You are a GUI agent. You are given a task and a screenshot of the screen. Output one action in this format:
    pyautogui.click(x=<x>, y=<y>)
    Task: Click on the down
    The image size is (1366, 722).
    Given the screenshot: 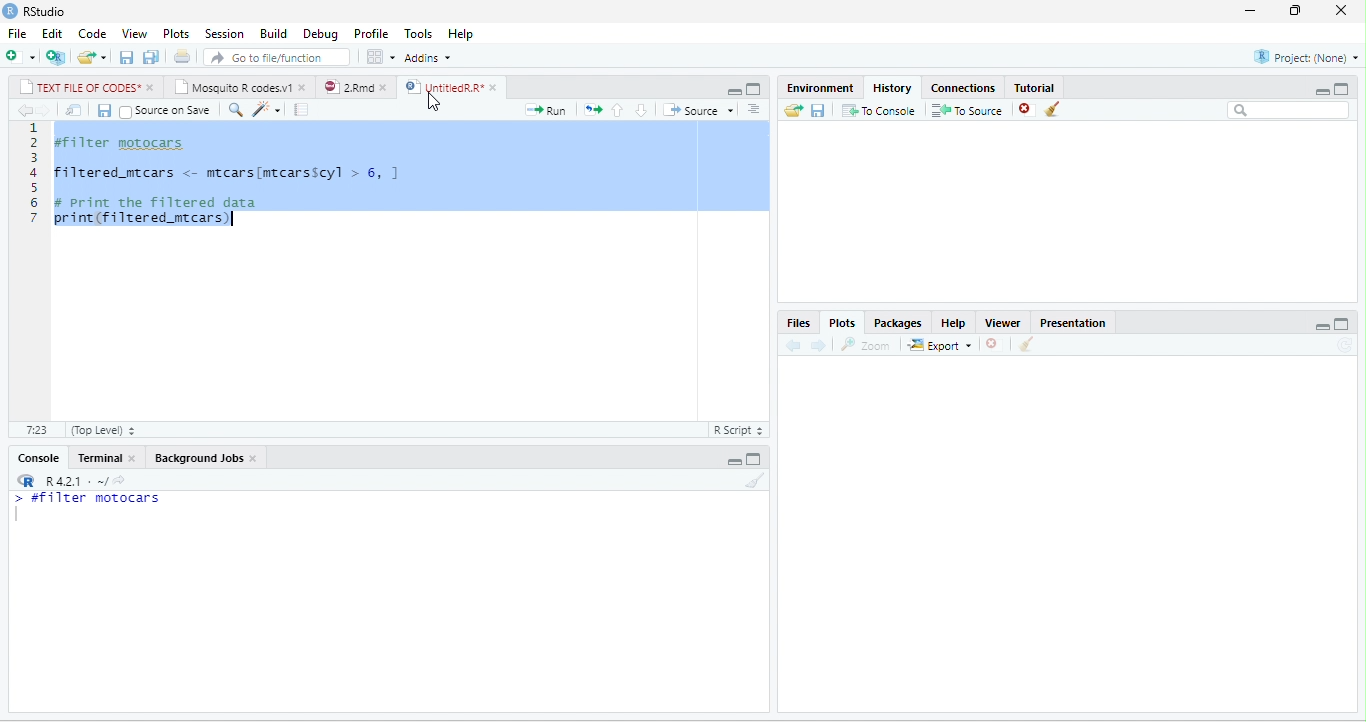 What is the action you would take?
    pyautogui.click(x=641, y=110)
    